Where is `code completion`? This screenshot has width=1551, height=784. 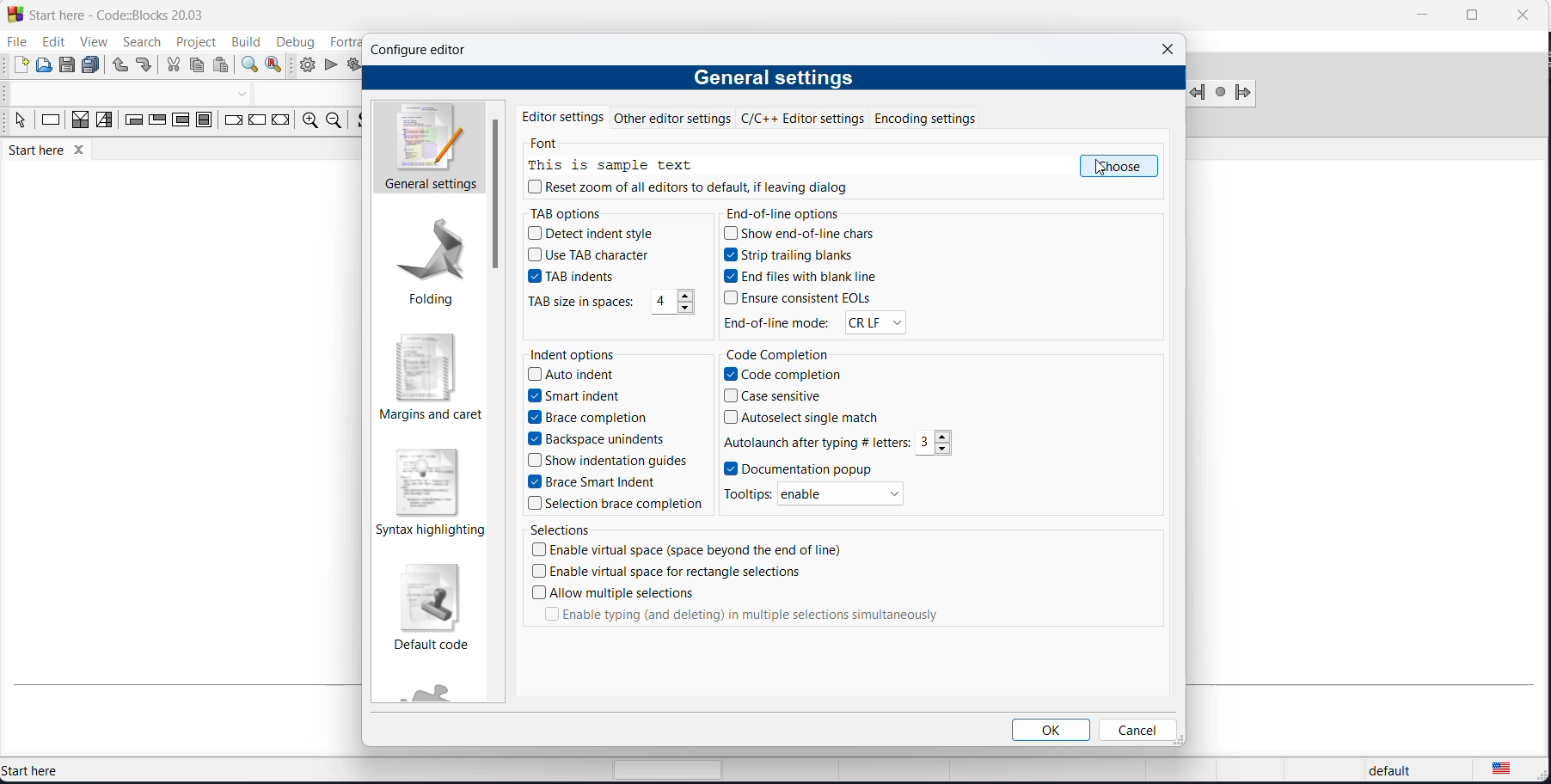 code completion is located at coordinates (784, 353).